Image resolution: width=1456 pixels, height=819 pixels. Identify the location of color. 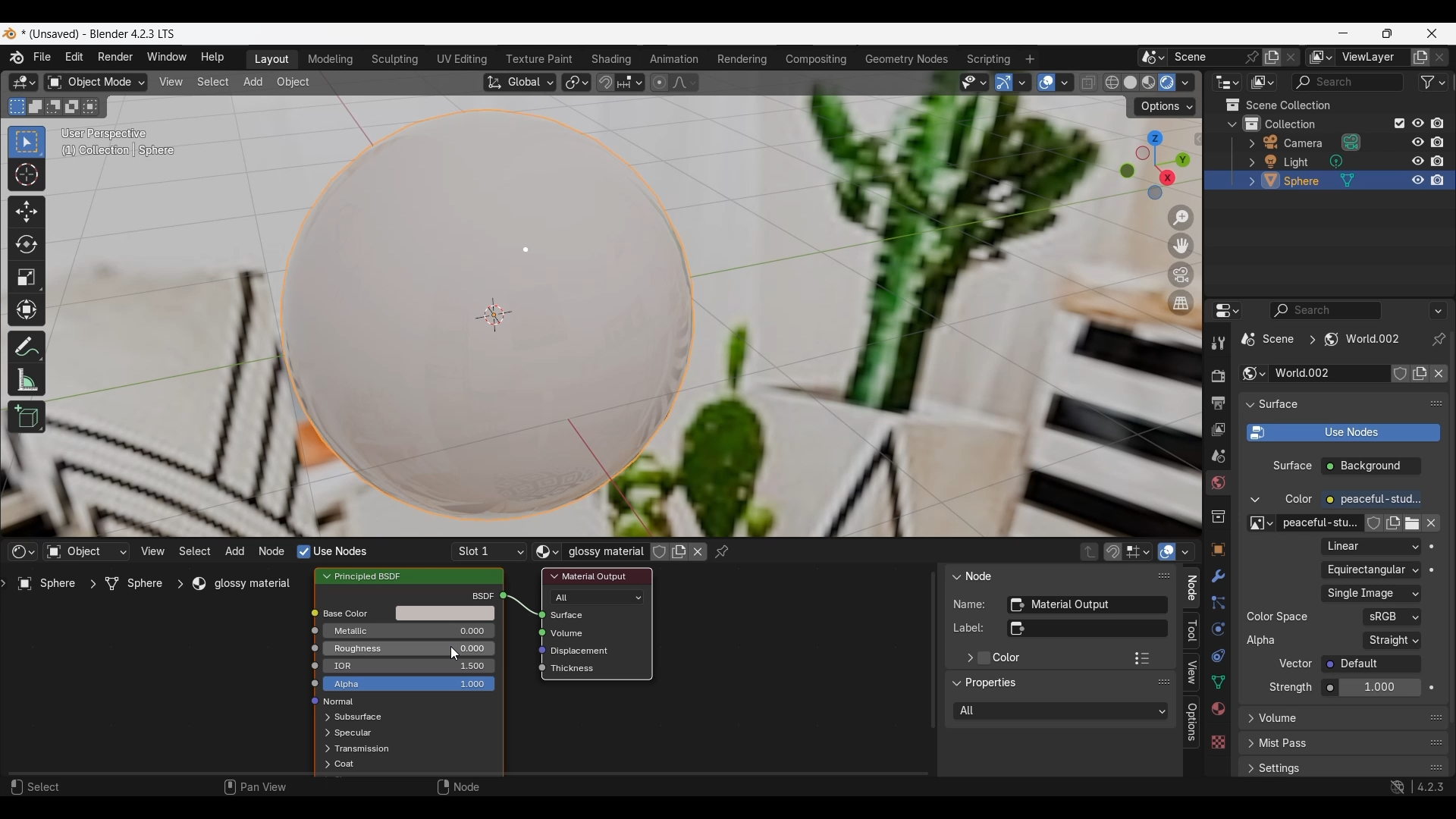
(1299, 500).